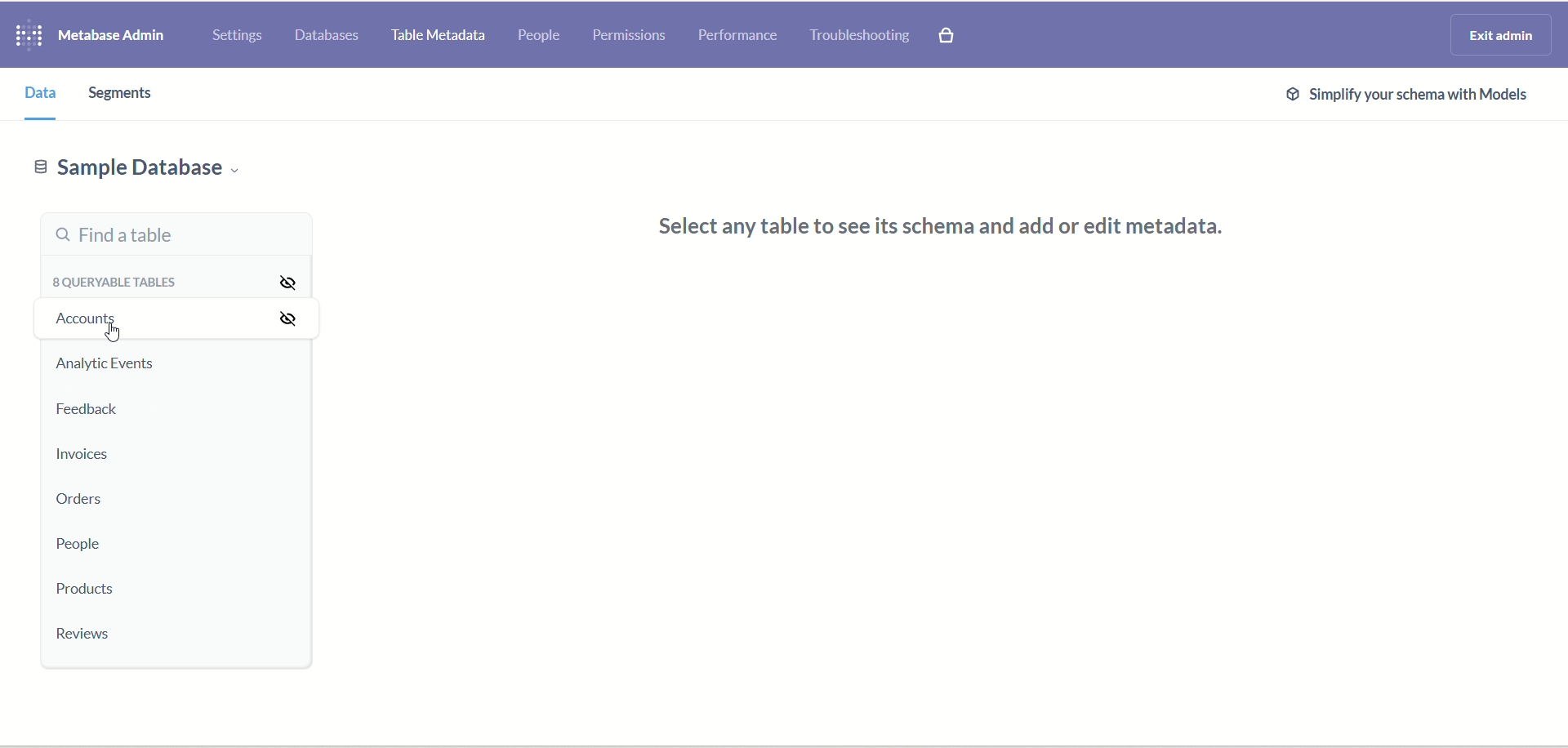  Describe the element at coordinates (87, 414) in the screenshot. I see `feedback` at that location.